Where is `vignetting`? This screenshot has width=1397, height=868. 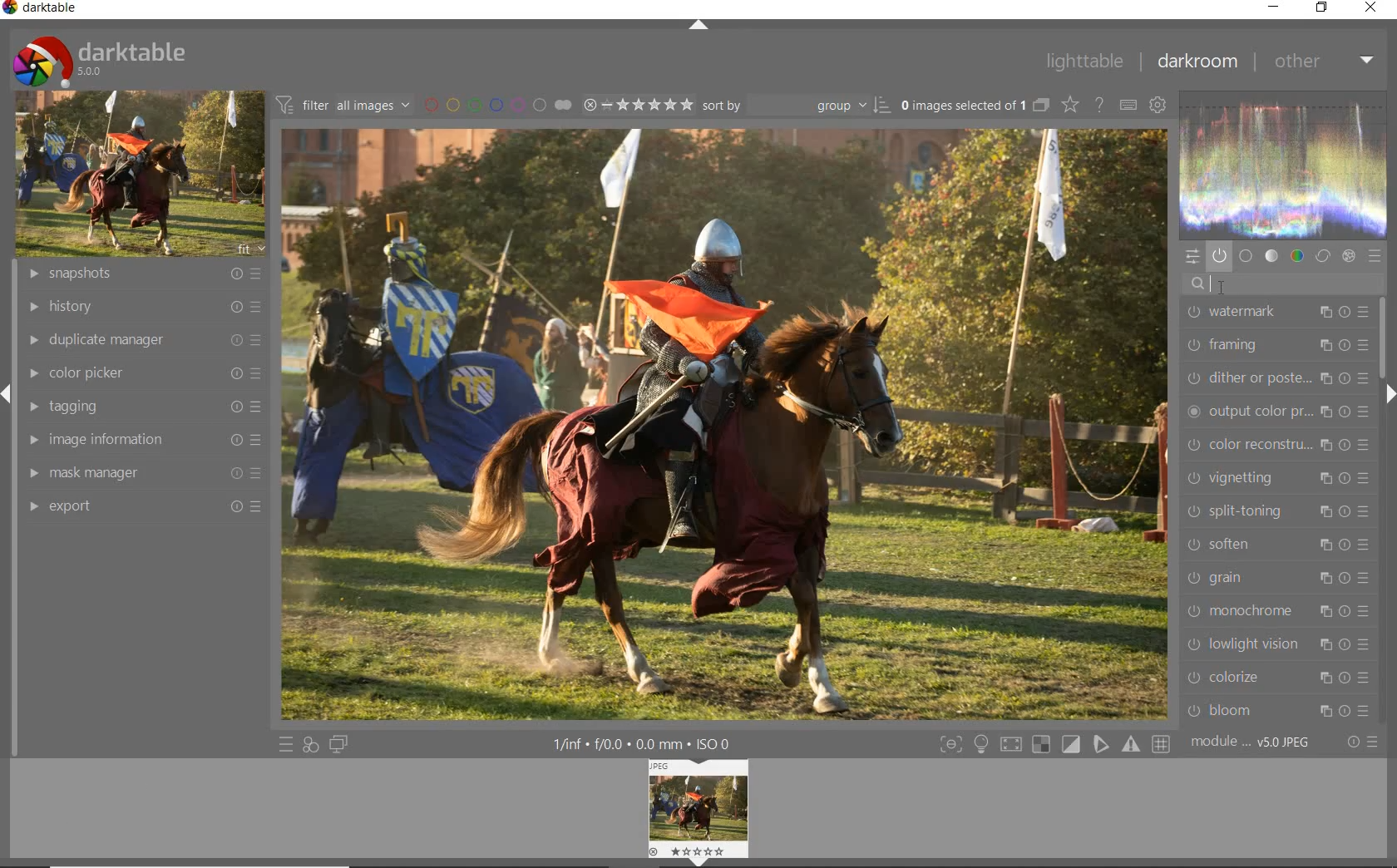 vignetting is located at coordinates (1277, 476).